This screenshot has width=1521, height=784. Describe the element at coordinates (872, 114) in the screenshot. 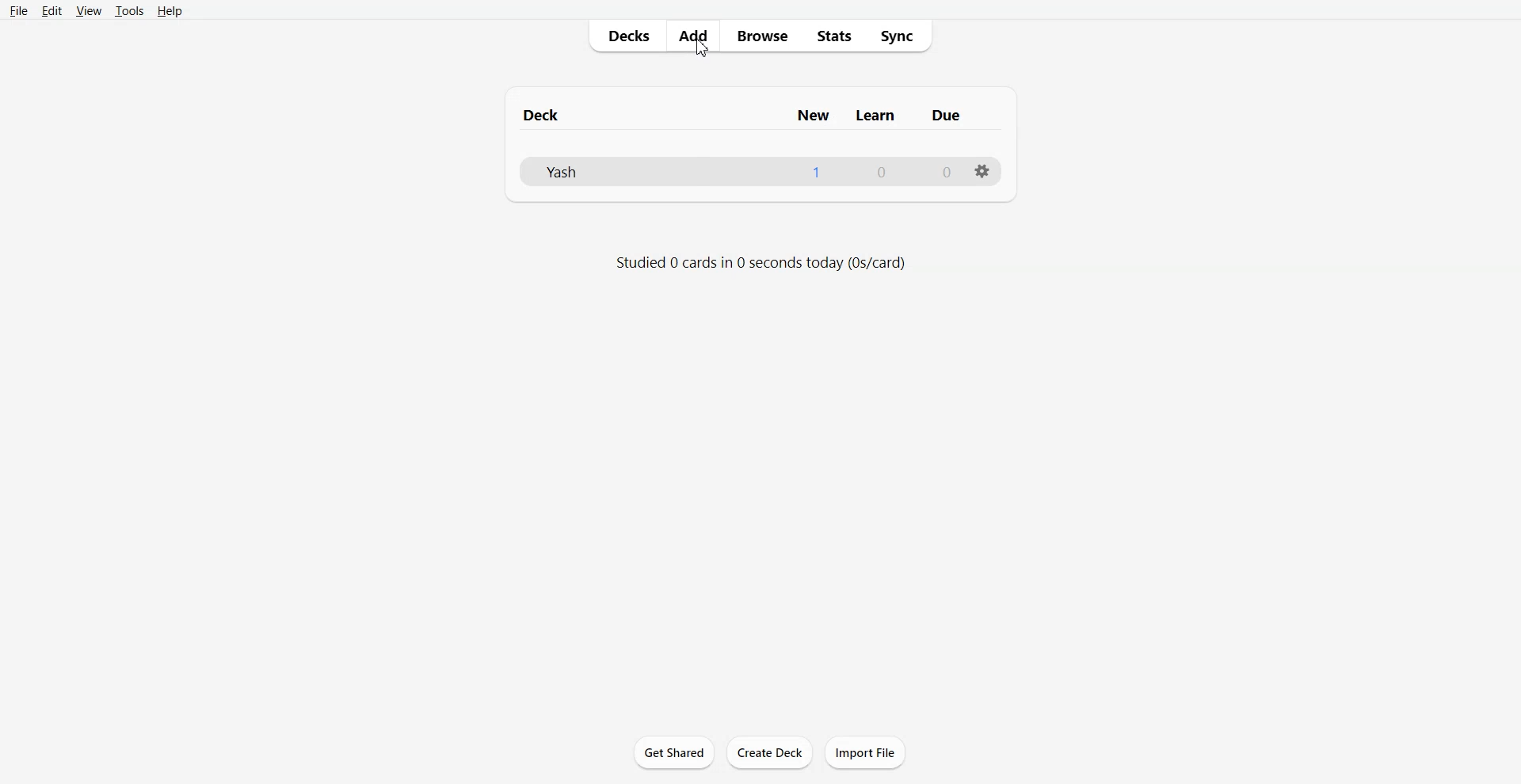

I see `Learn` at that location.